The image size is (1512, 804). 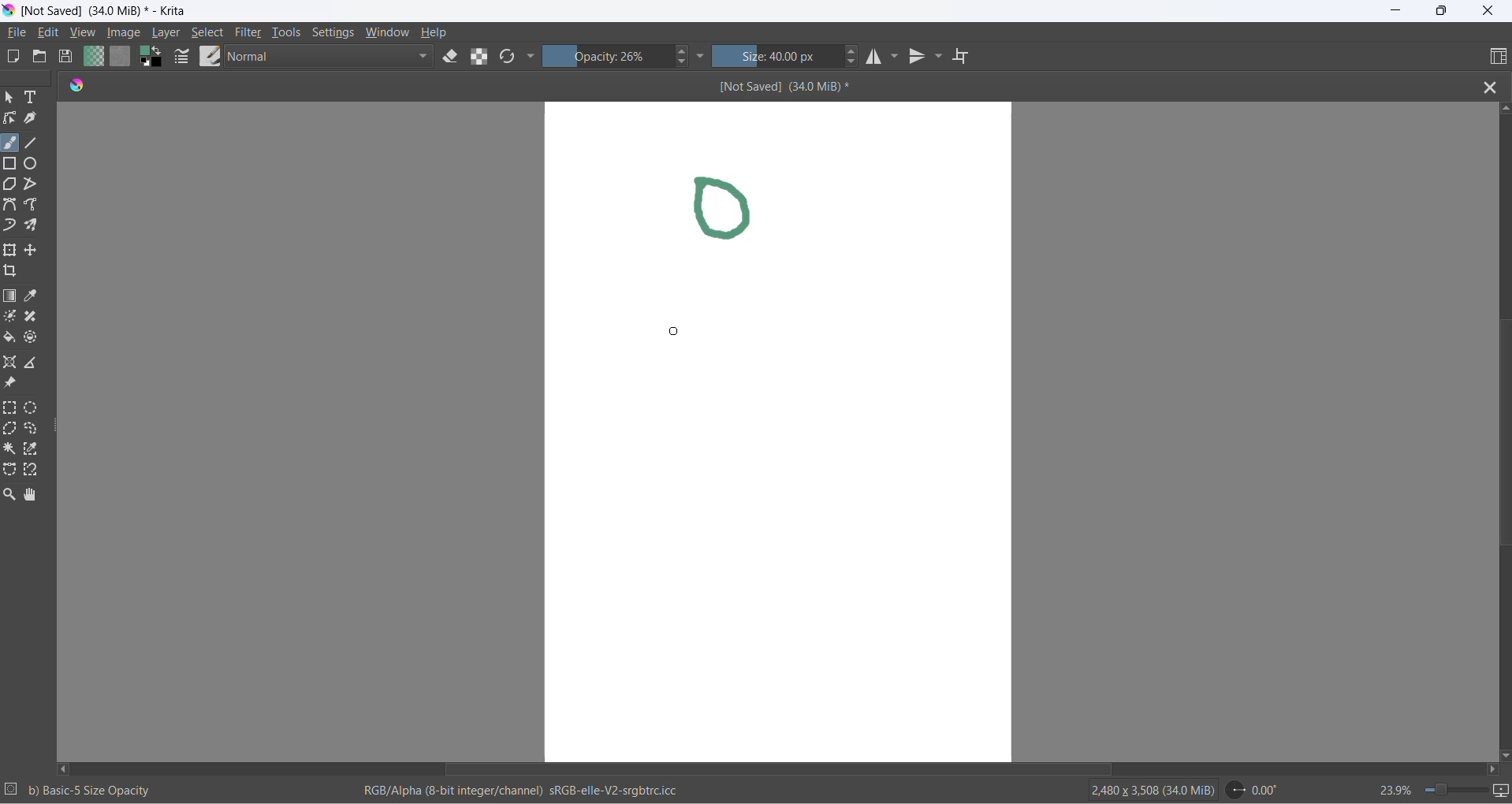 I want to click on horizontal scroll bar, so click(x=784, y=769).